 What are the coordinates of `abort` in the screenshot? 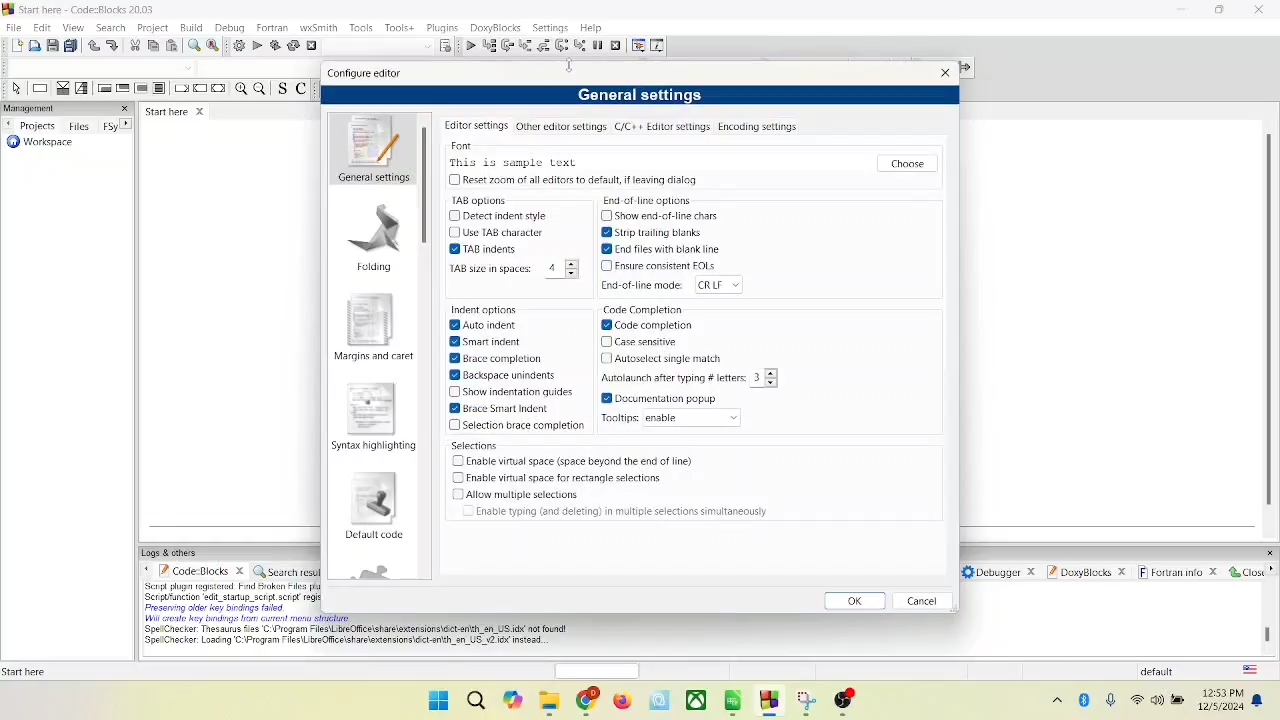 It's located at (312, 46).